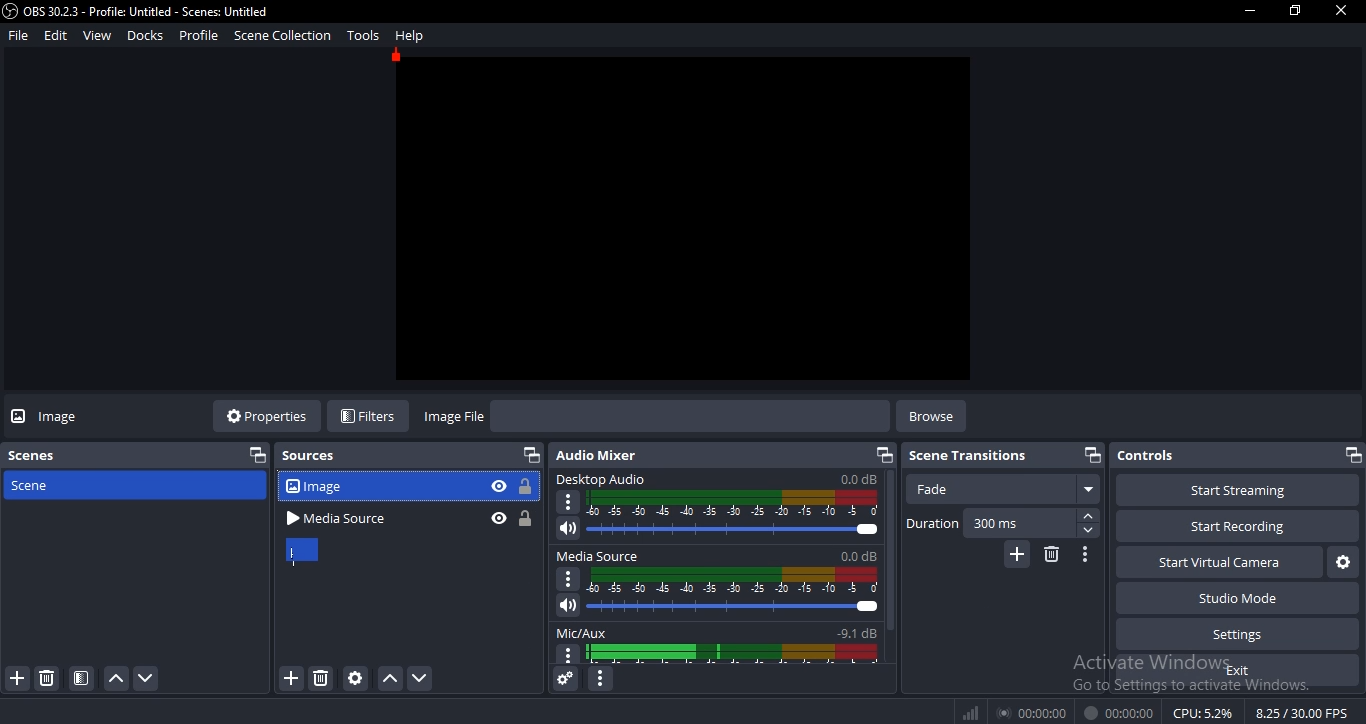 This screenshot has height=724, width=1366. I want to click on add scene, so click(18, 678).